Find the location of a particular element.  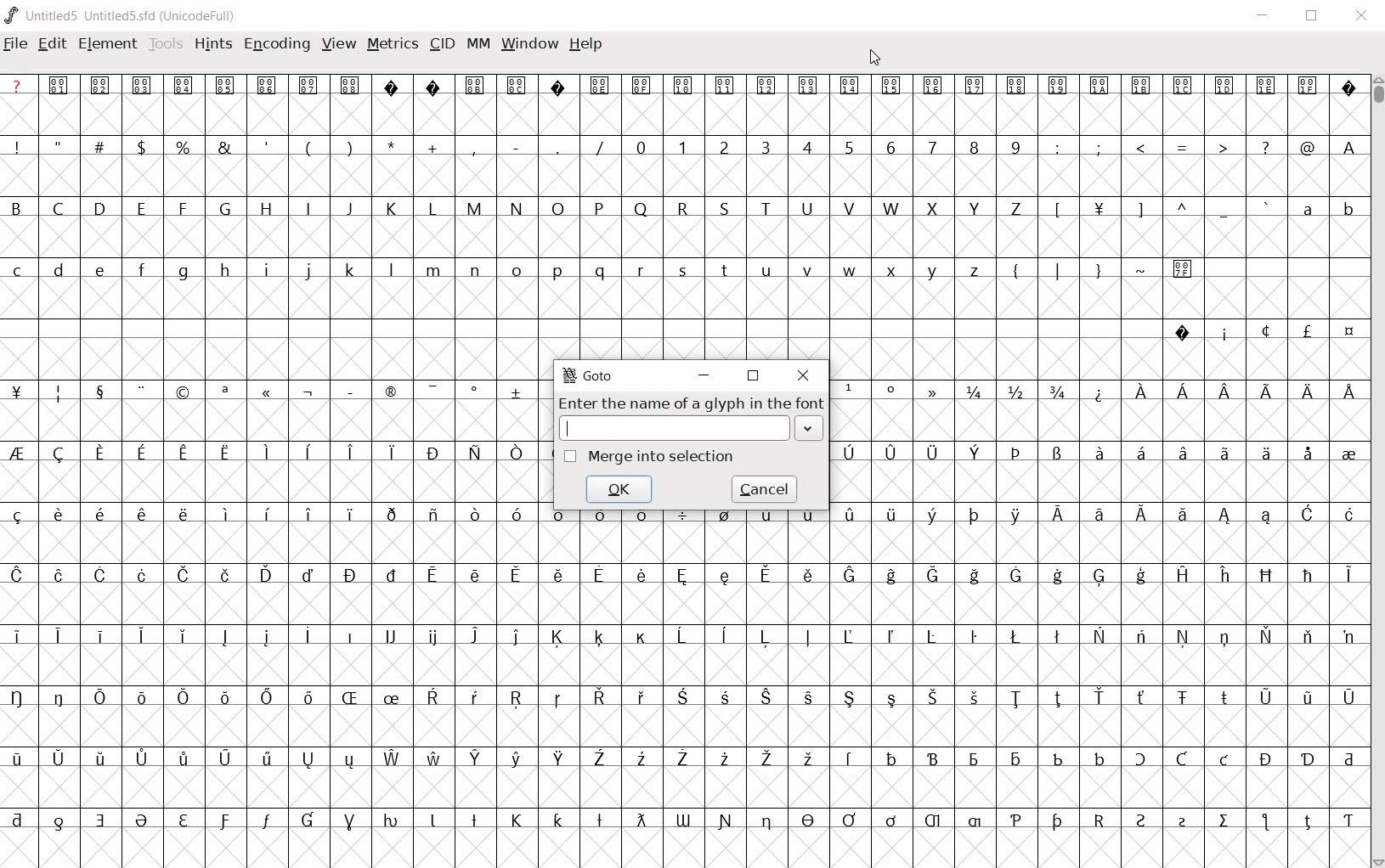

Symbol is located at coordinates (767, 759).